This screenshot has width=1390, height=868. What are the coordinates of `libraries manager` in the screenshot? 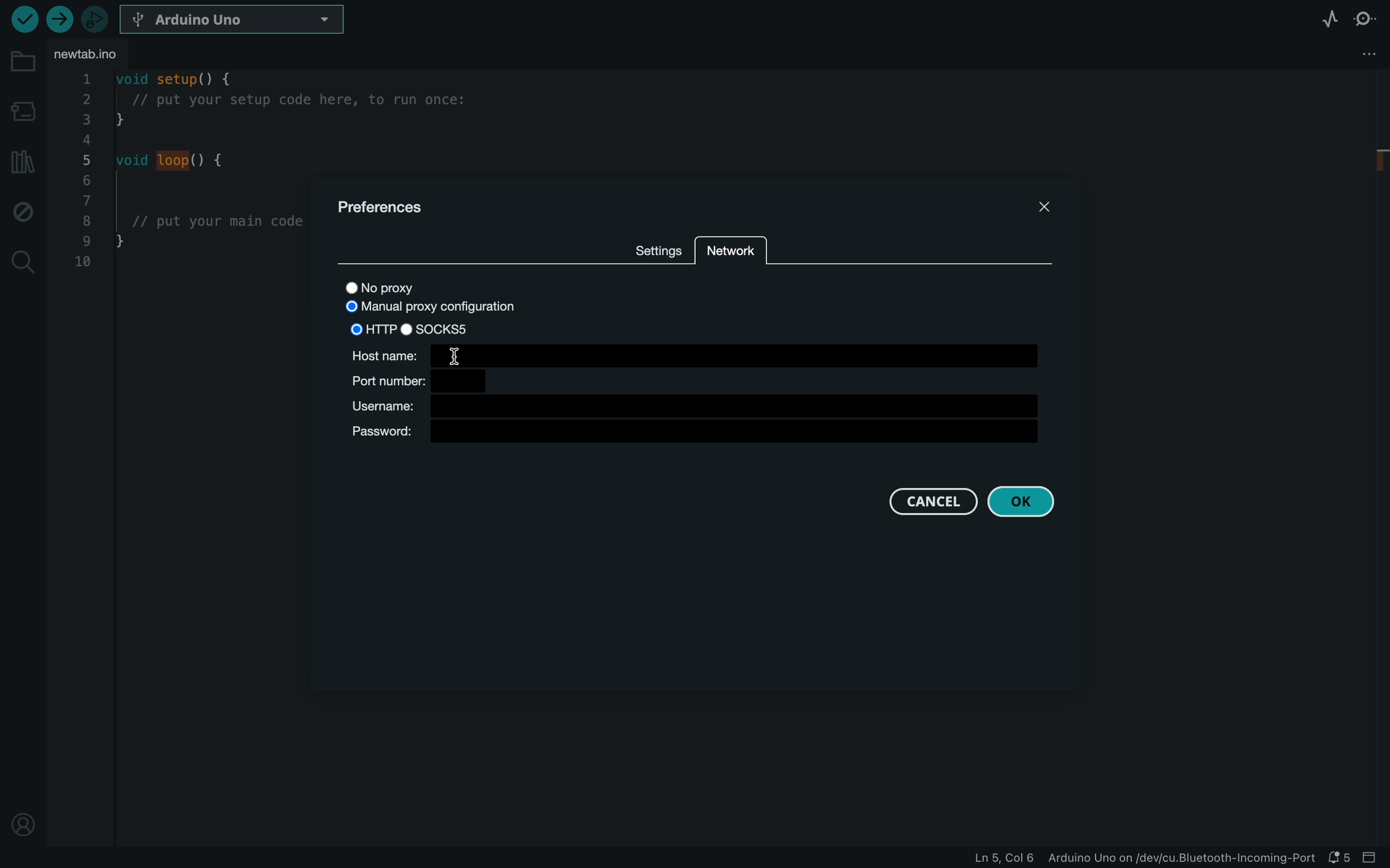 It's located at (20, 161).